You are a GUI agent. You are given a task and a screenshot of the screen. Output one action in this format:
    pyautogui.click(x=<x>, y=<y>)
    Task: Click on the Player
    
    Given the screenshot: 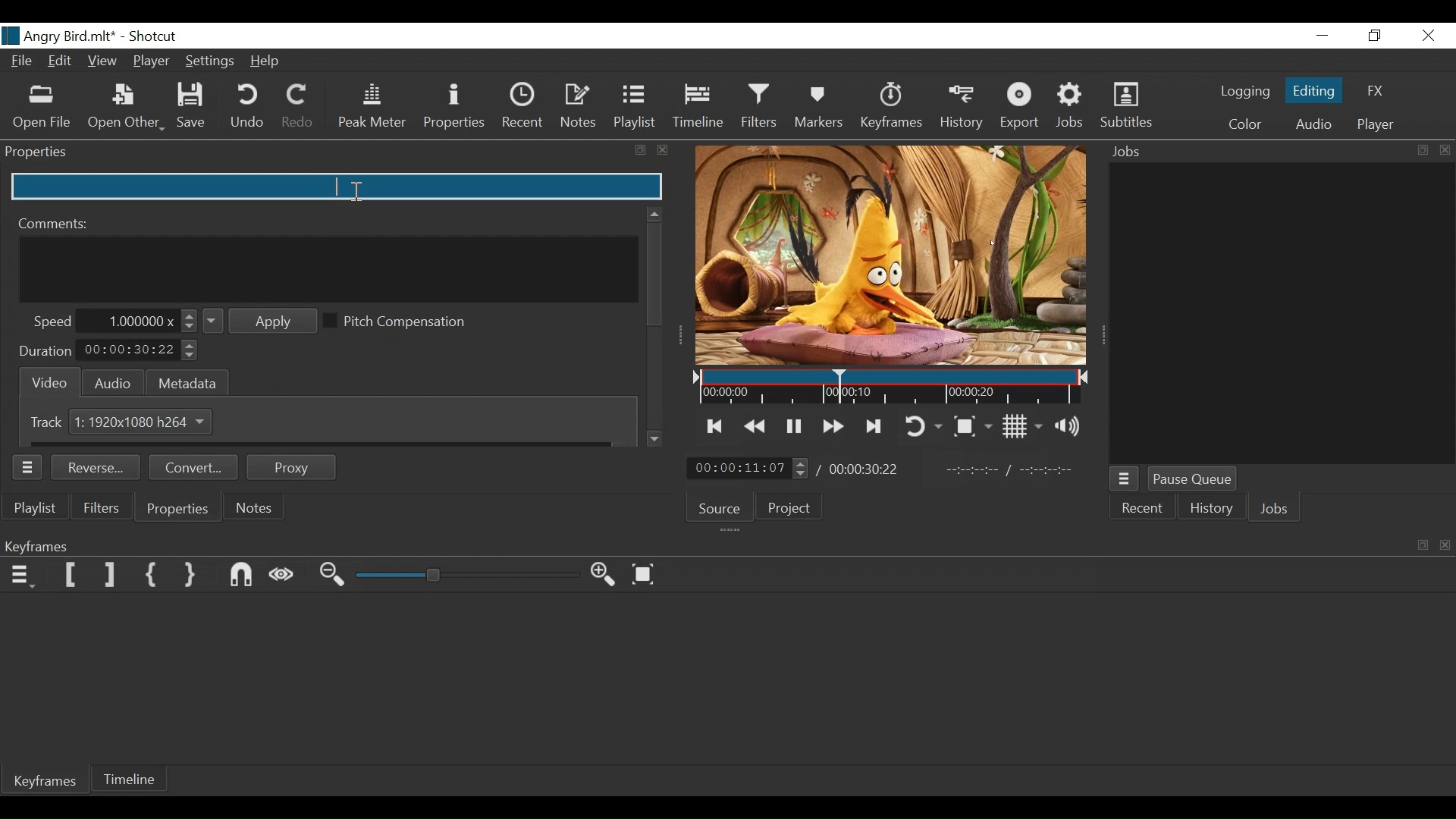 What is the action you would take?
    pyautogui.click(x=152, y=61)
    